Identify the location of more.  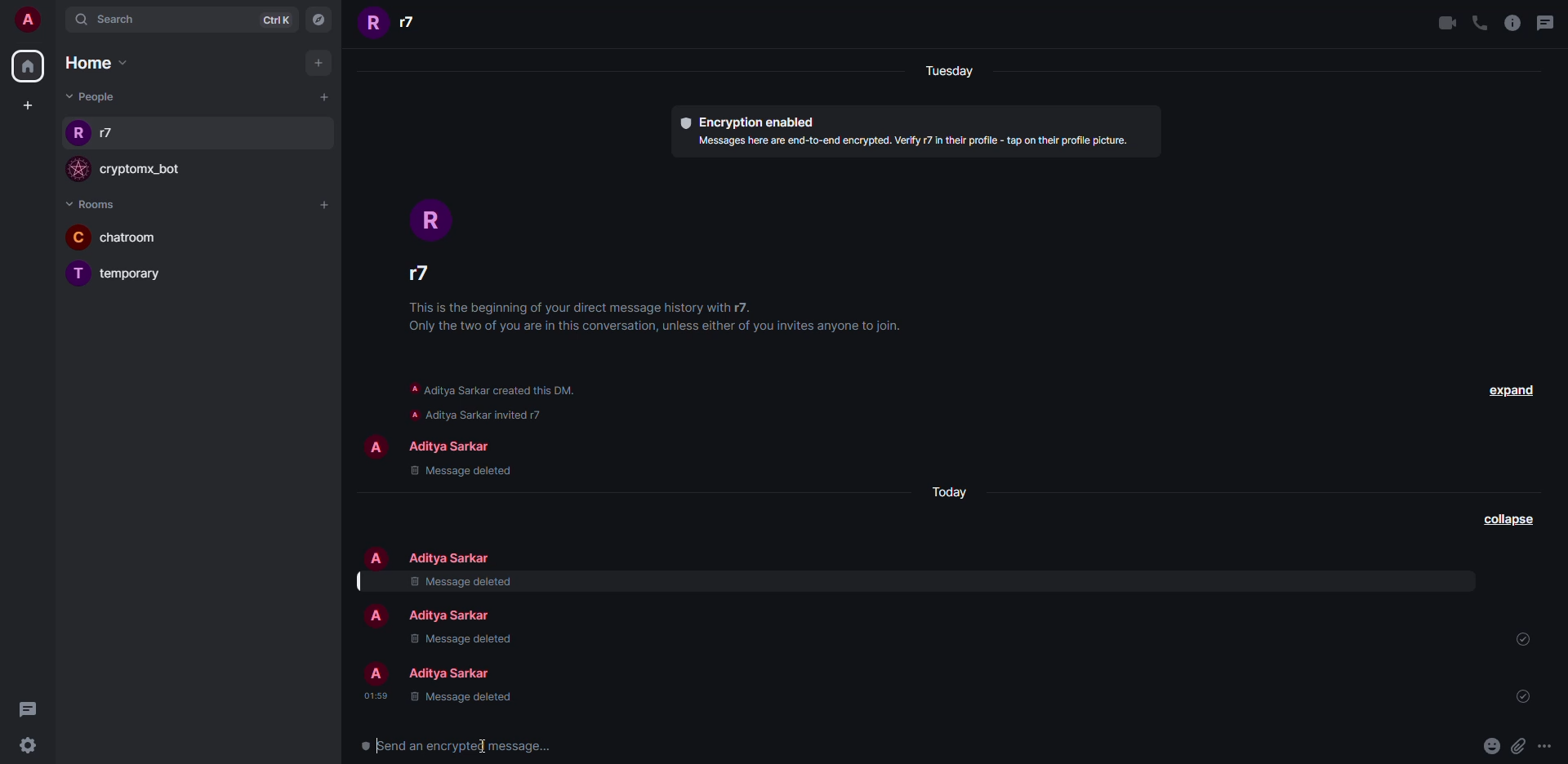
(1546, 746).